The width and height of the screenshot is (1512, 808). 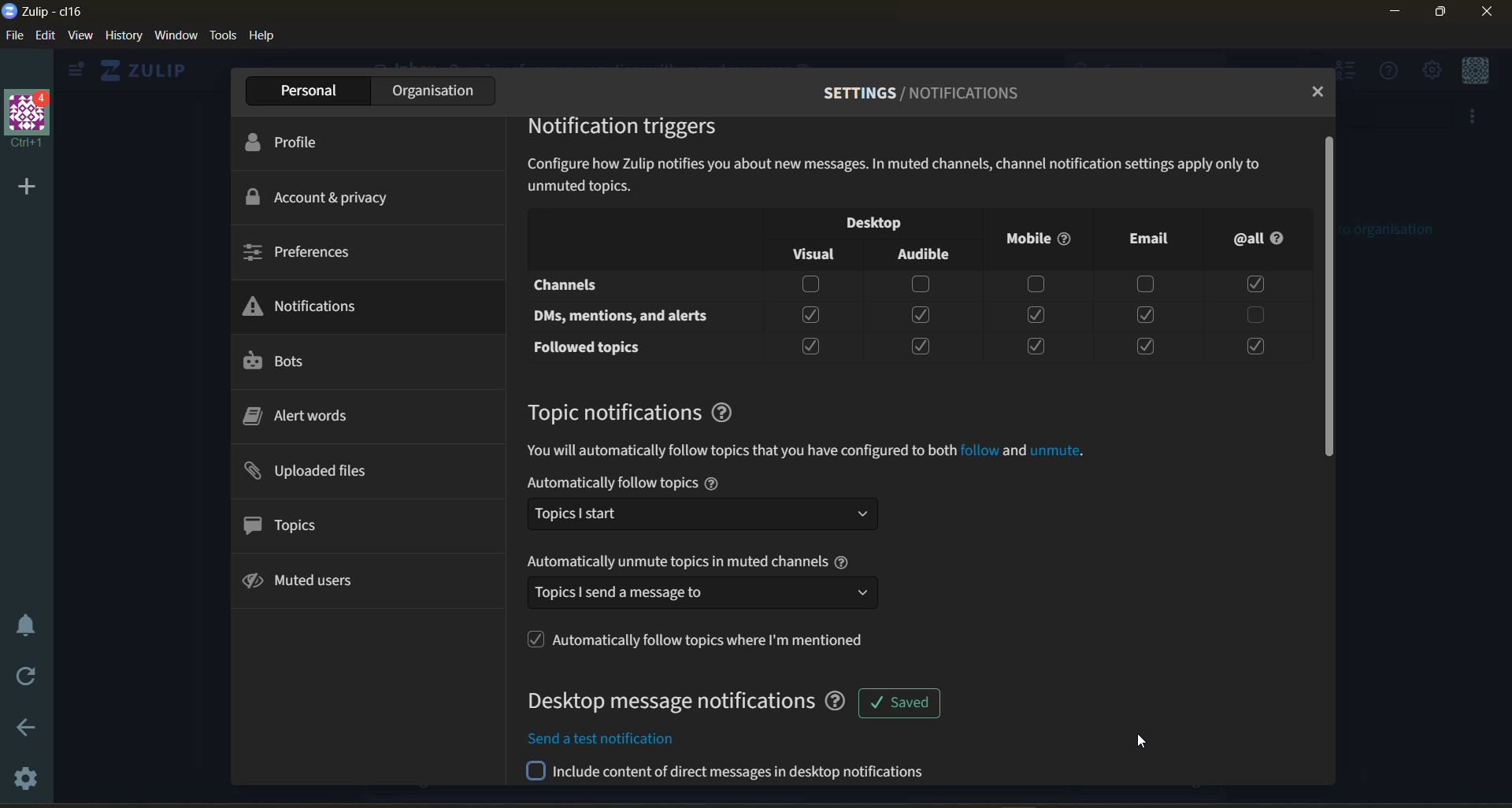 What do you see at coordinates (728, 412) in the screenshot?
I see `question mark logo` at bounding box center [728, 412].